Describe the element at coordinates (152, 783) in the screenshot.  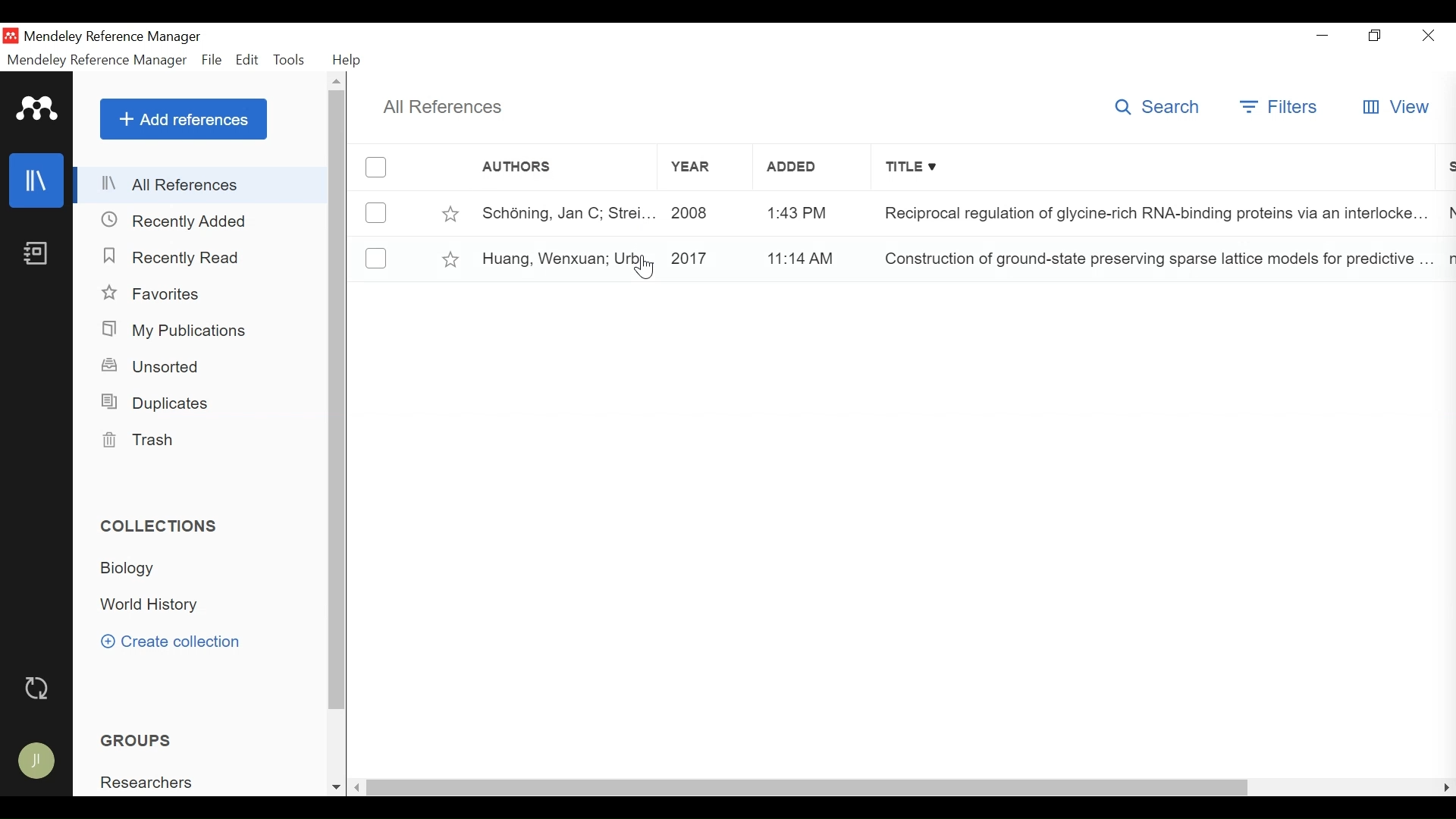
I see `Group` at that location.